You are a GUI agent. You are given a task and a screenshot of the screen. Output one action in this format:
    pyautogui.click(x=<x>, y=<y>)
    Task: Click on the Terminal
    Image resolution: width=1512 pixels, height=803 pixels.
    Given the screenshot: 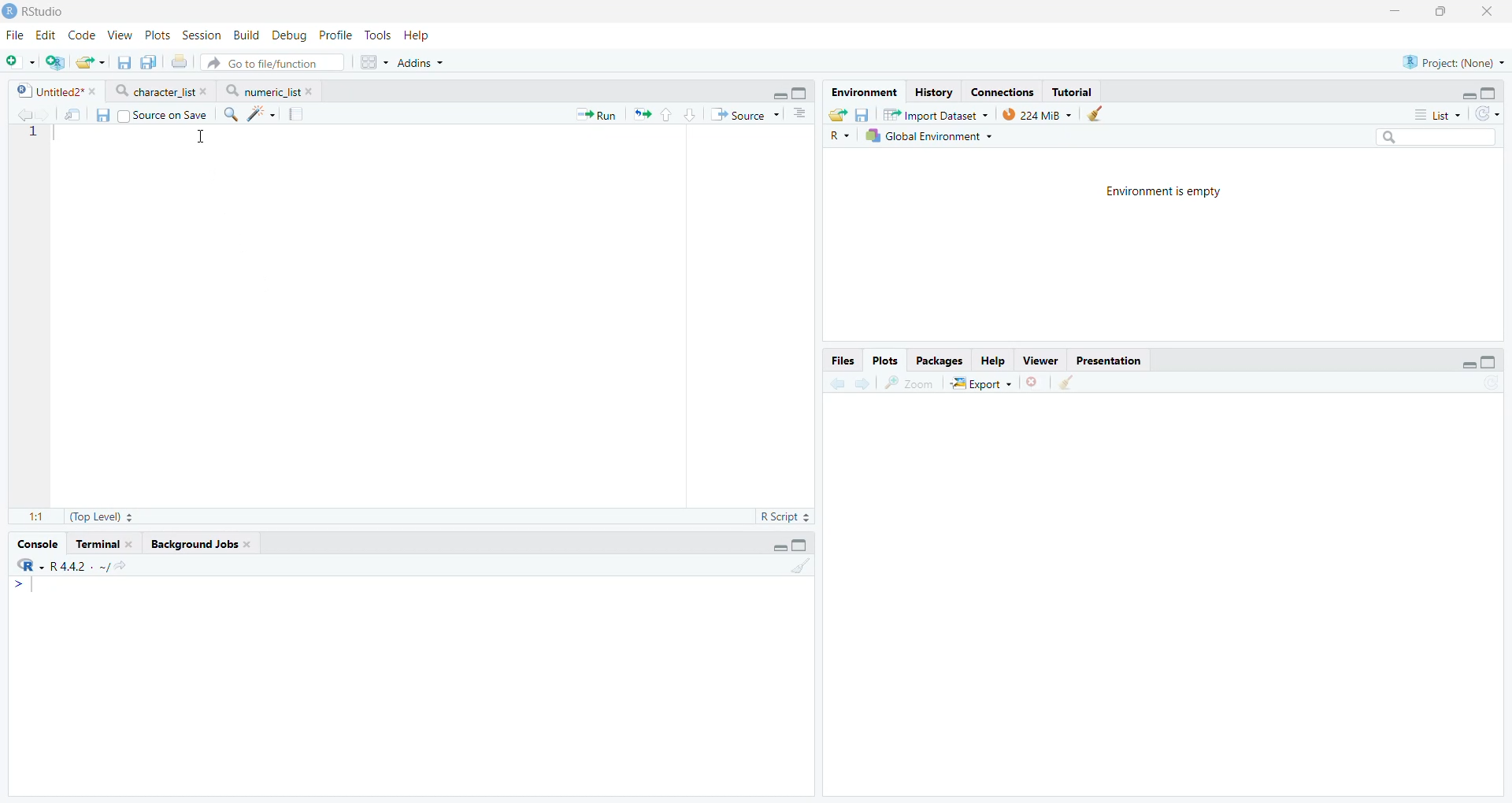 What is the action you would take?
    pyautogui.click(x=103, y=545)
    